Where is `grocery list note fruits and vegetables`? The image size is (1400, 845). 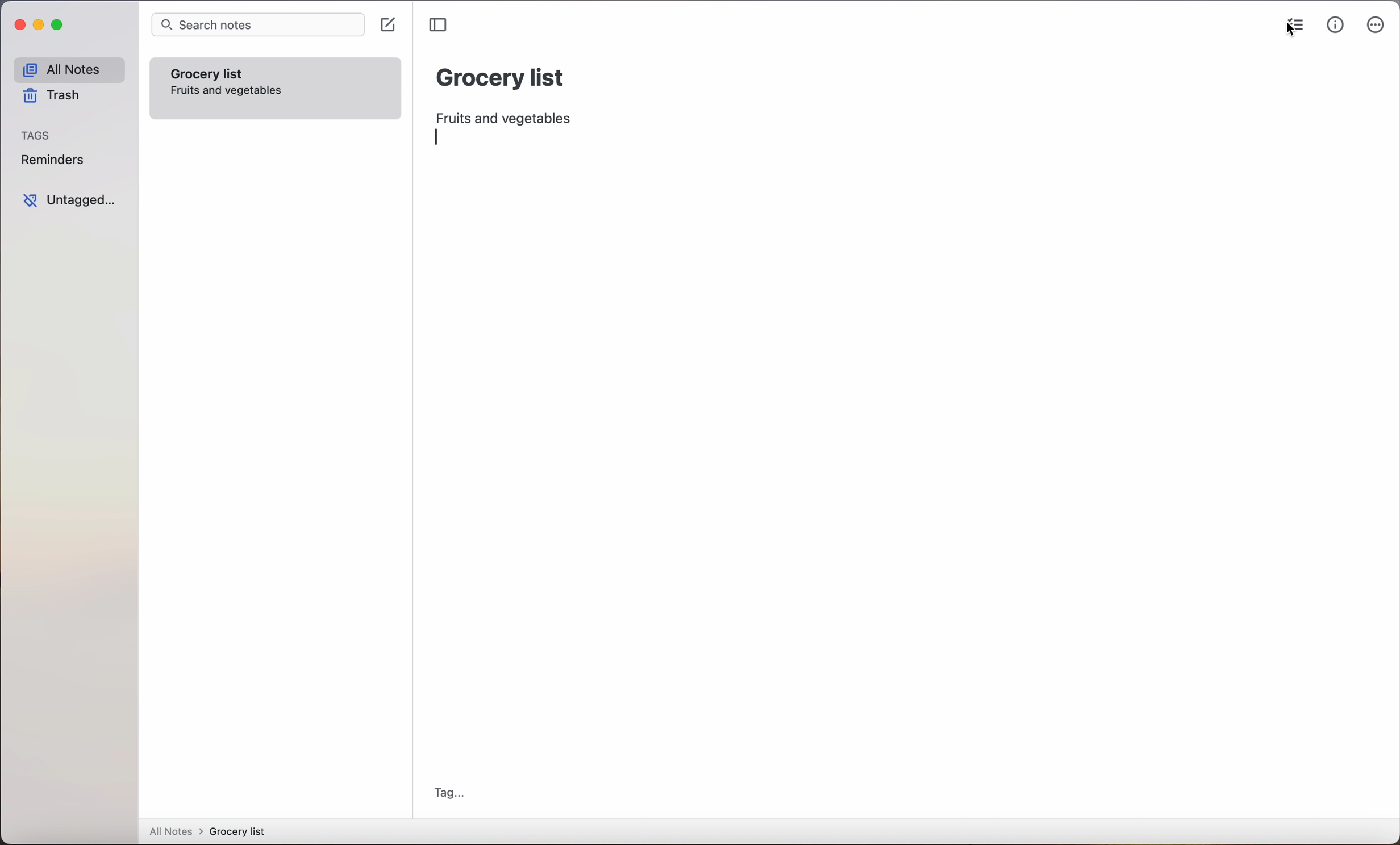 grocery list note fruits and vegetables is located at coordinates (228, 80).